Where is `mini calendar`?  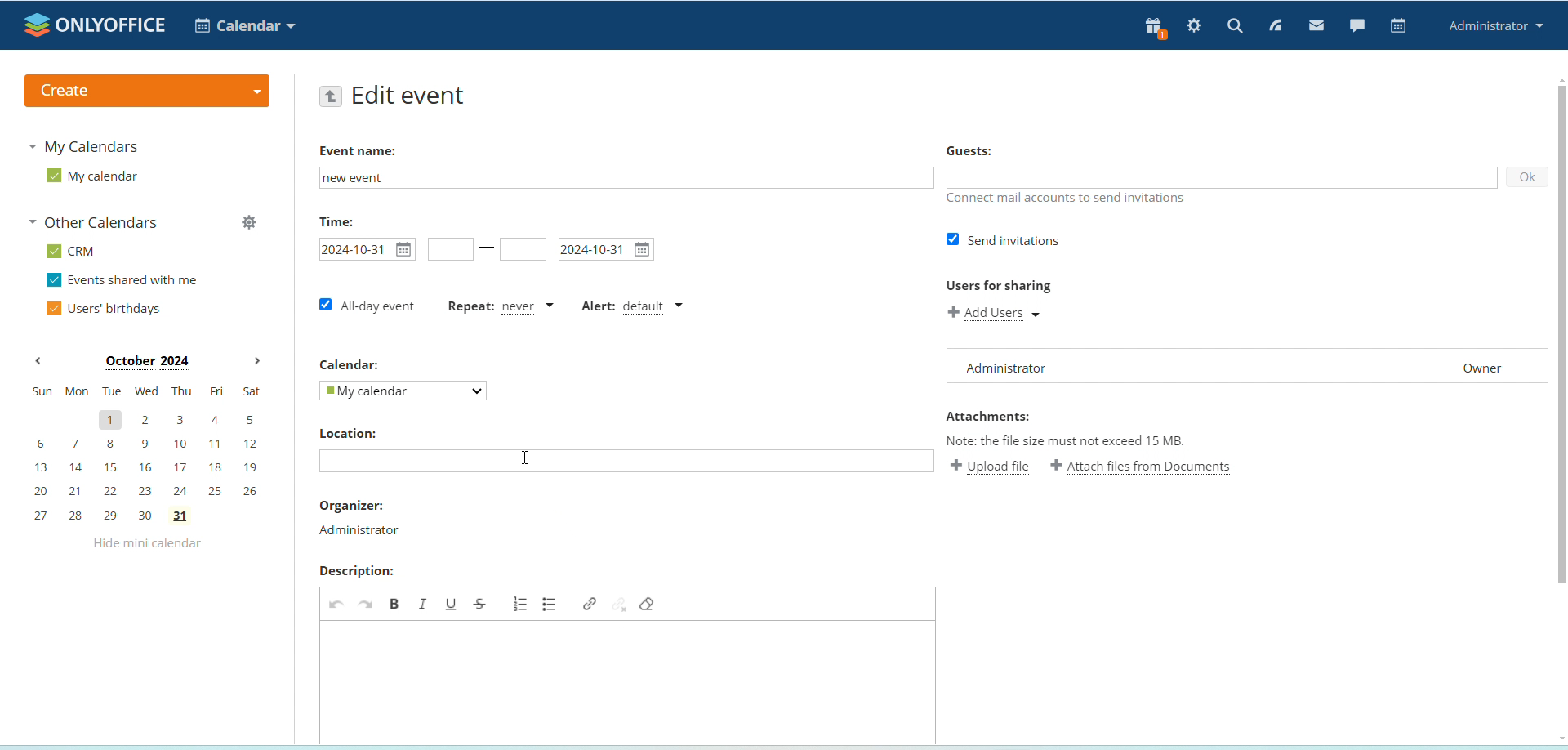
mini calendar is located at coordinates (147, 453).